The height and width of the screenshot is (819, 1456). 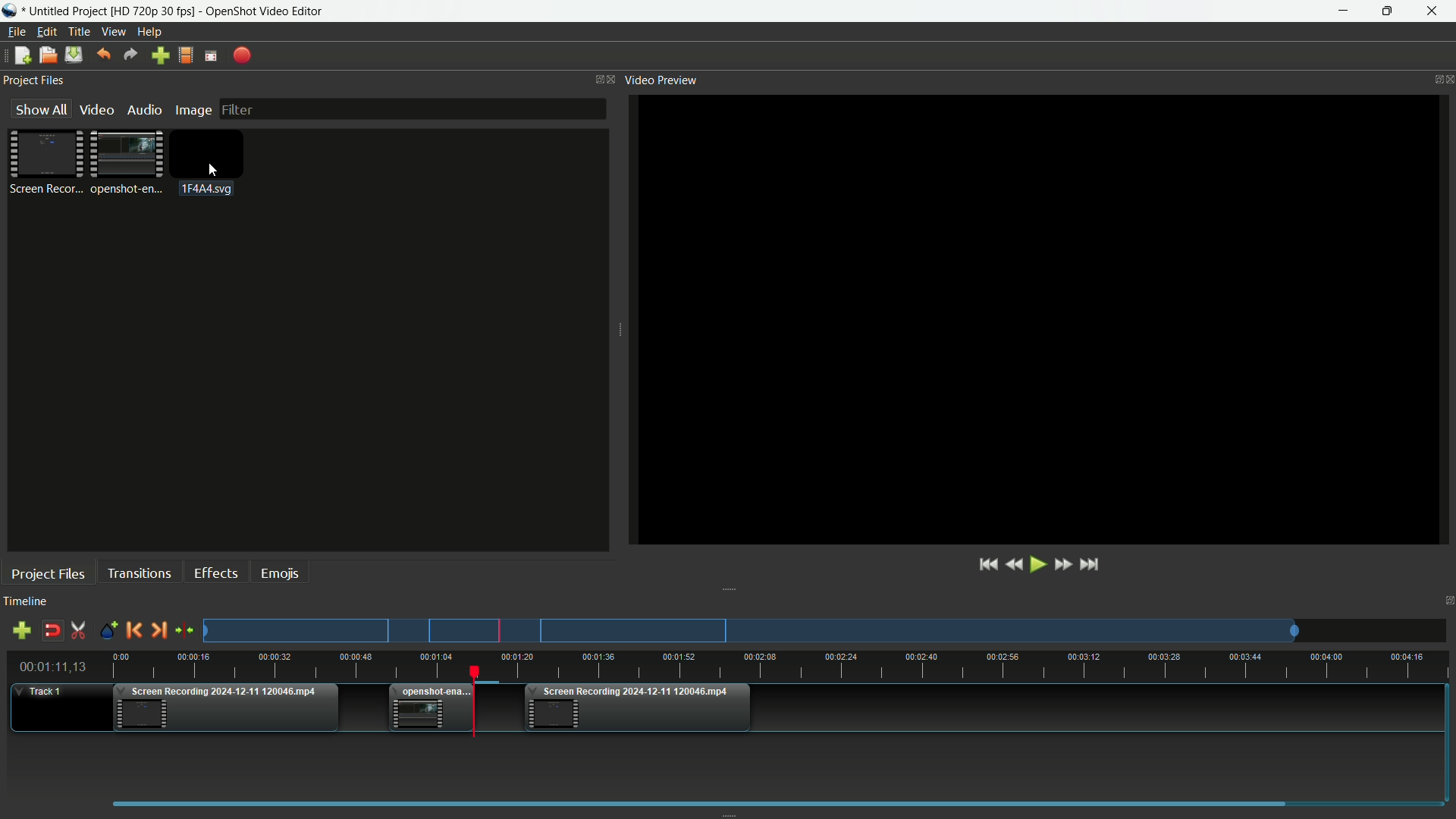 What do you see at coordinates (1018, 564) in the screenshot?
I see `Quickly play backward` at bounding box center [1018, 564].